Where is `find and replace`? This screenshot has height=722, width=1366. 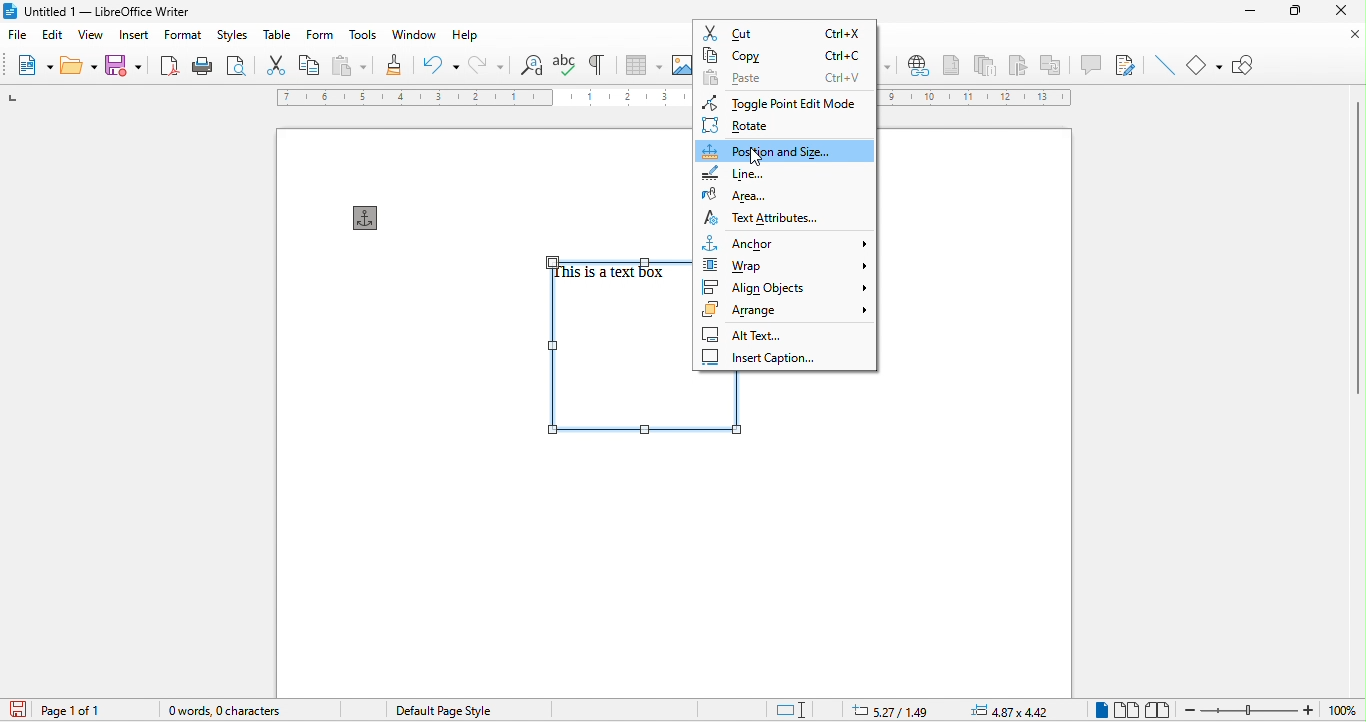 find and replace is located at coordinates (532, 65).